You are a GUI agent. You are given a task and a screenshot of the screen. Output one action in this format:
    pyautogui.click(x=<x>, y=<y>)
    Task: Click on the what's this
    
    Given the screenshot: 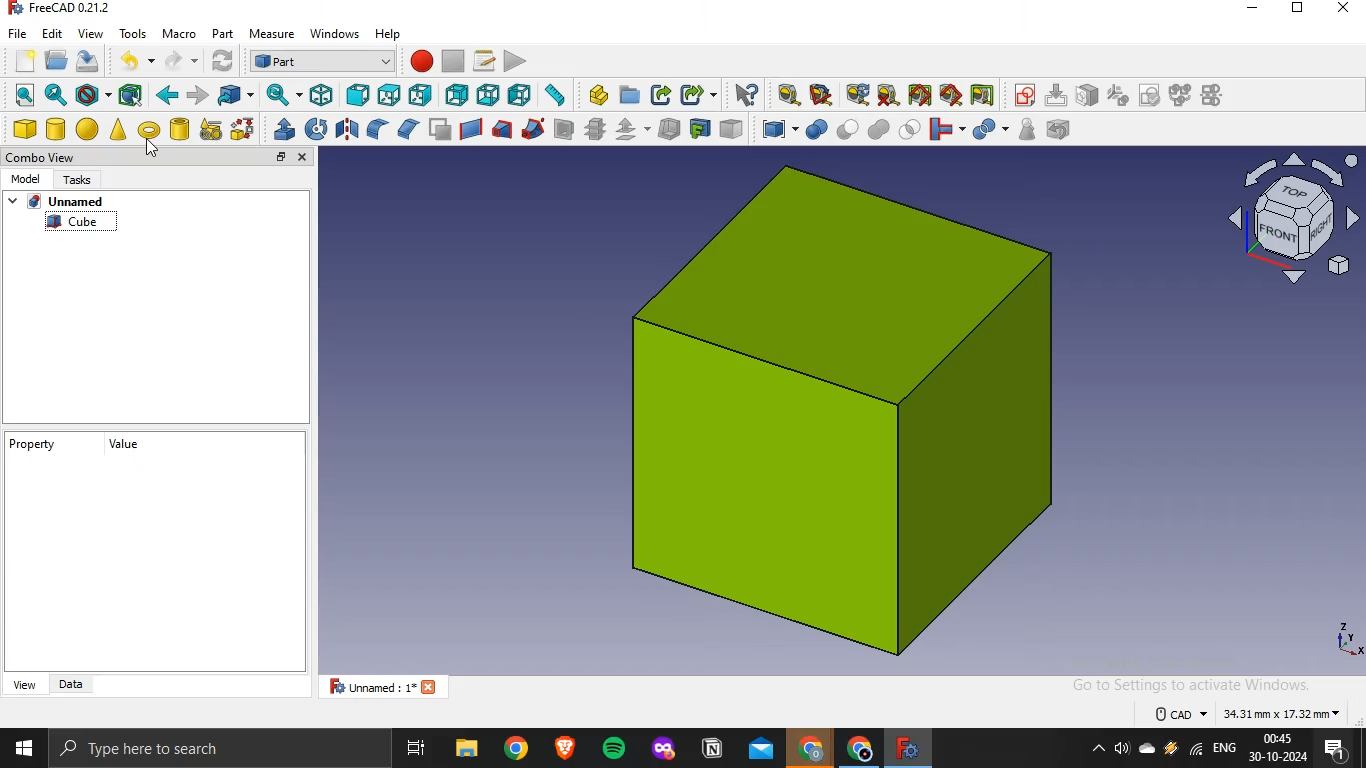 What is the action you would take?
    pyautogui.click(x=747, y=95)
    